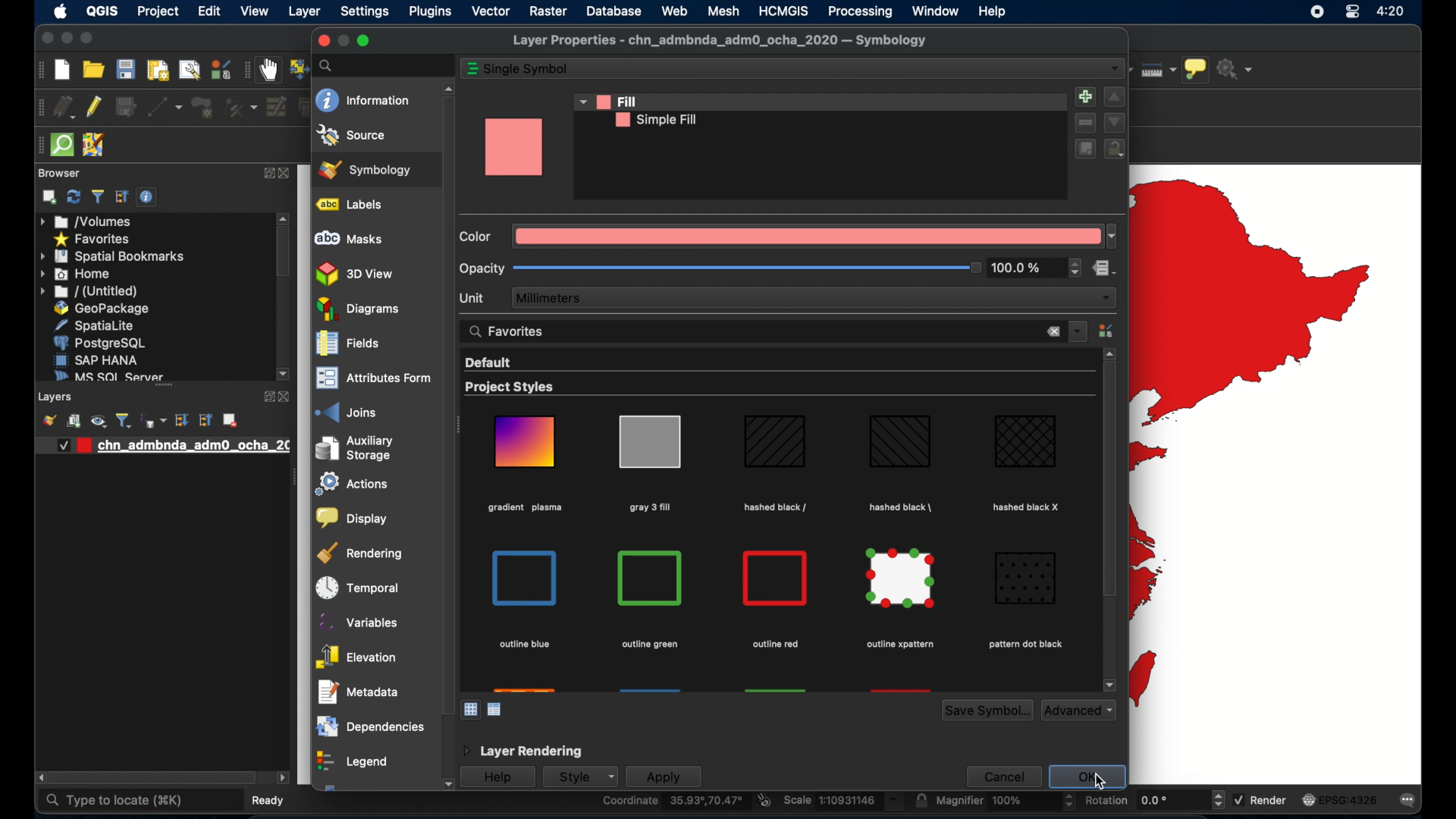 Image resolution: width=1456 pixels, height=819 pixels. Describe the element at coordinates (898, 645) in the screenshot. I see `outline xpattern` at that location.